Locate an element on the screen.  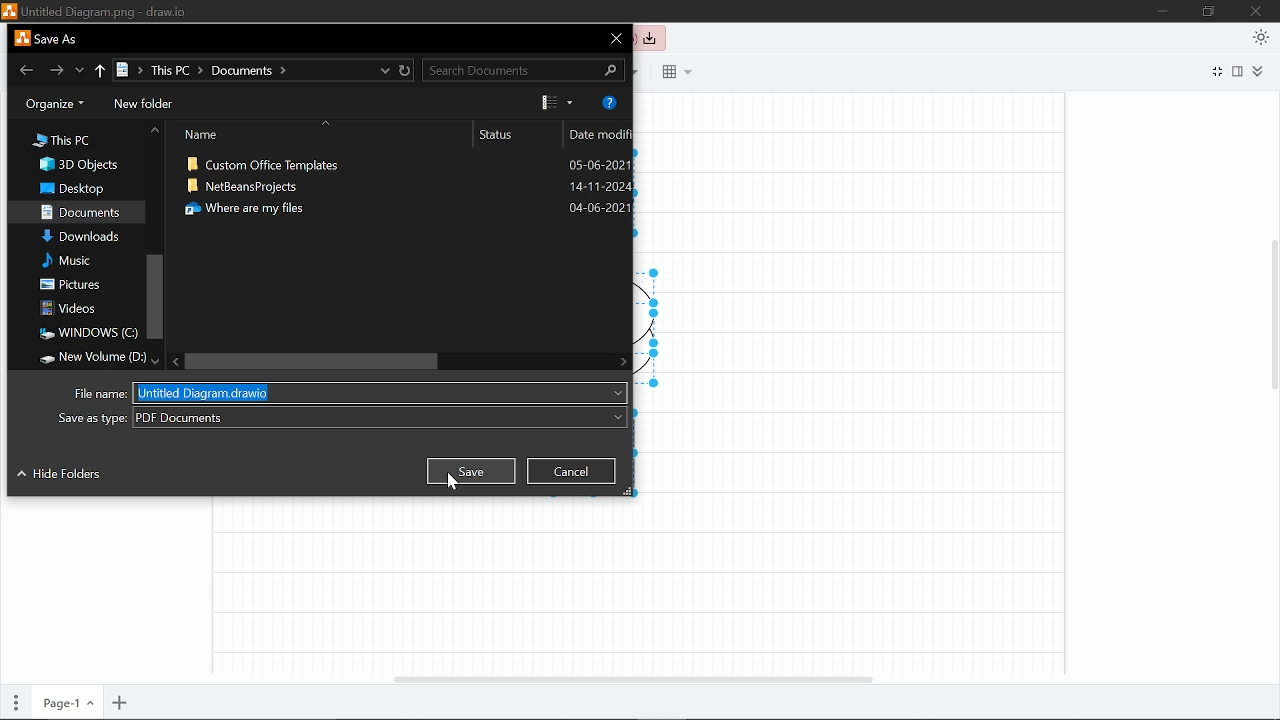
Documents is located at coordinates (82, 213).